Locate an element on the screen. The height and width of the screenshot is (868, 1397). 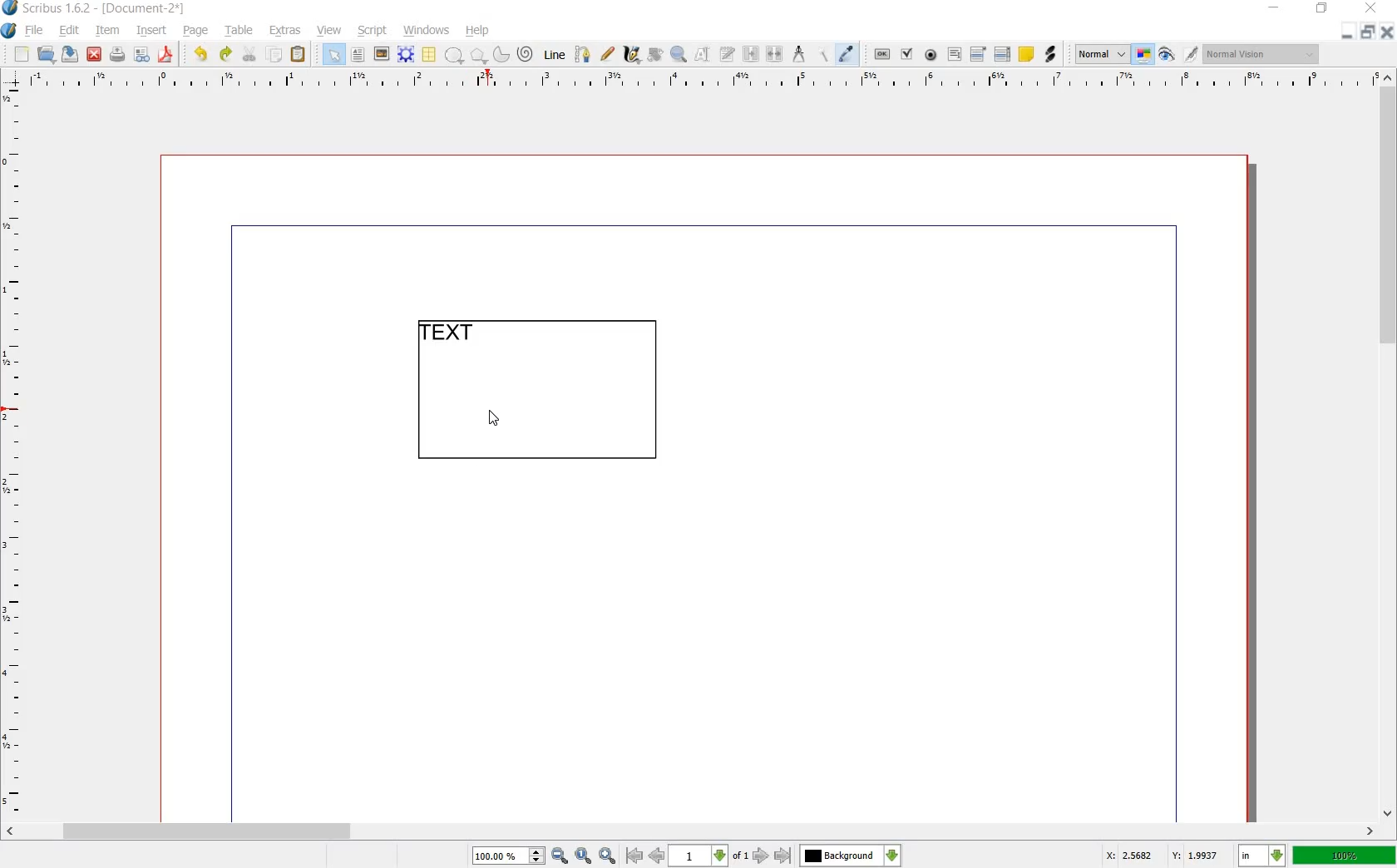
close is located at coordinates (1374, 7).